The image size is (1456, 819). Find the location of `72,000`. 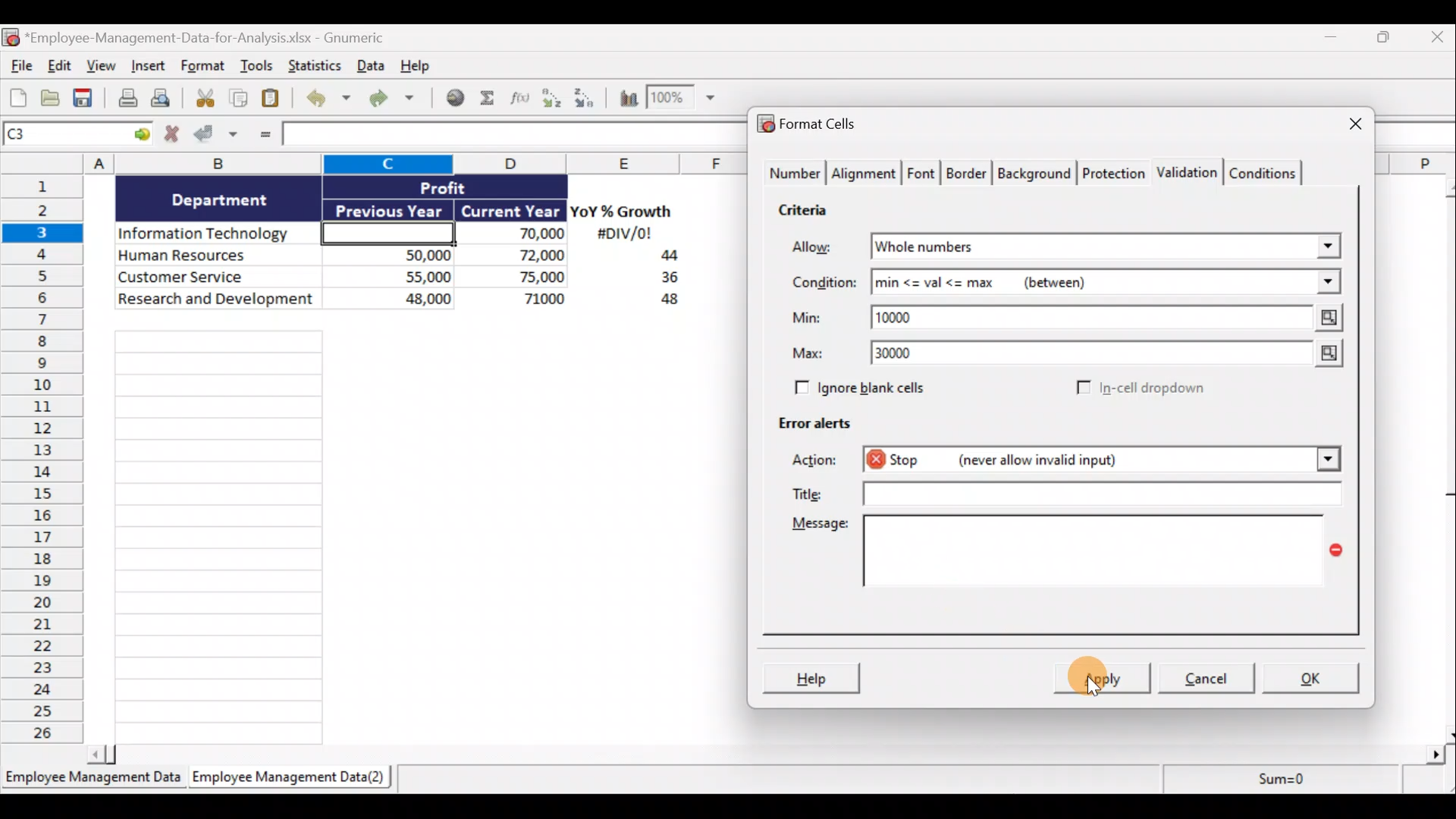

72,000 is located at coordinates (518, 256).